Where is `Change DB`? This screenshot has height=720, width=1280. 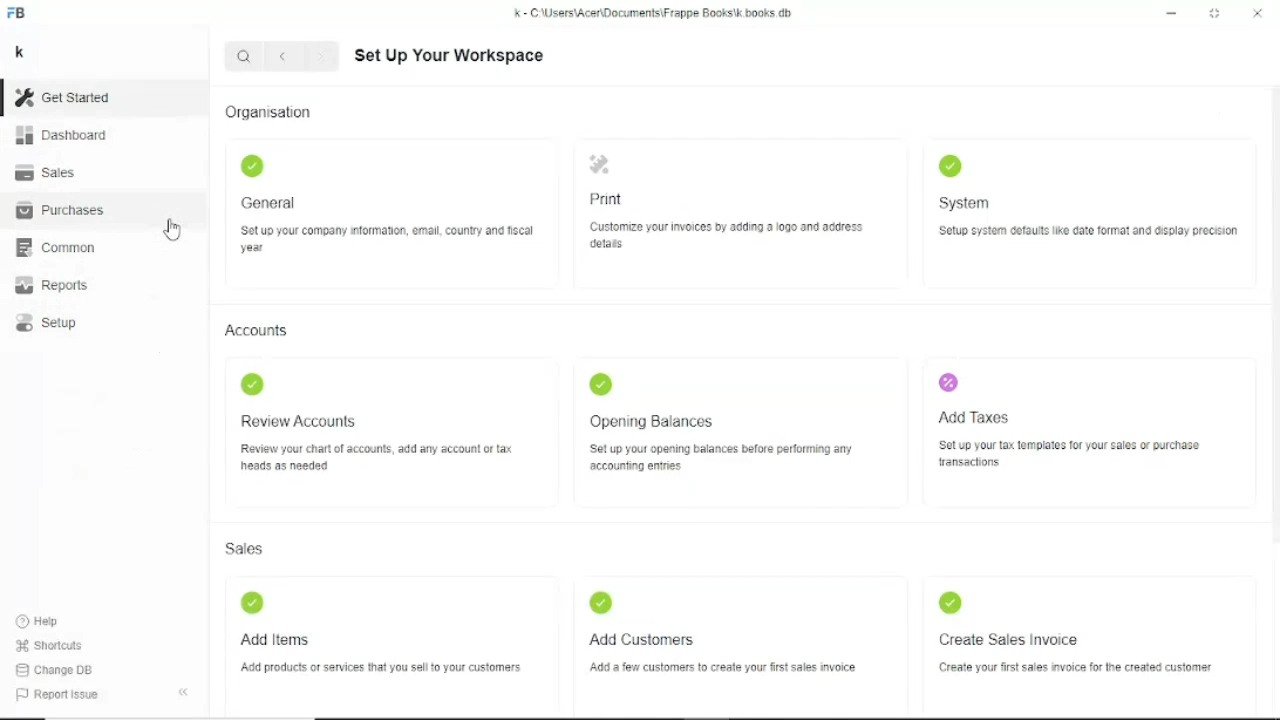
Change DB is located at coordinates (55, 671).